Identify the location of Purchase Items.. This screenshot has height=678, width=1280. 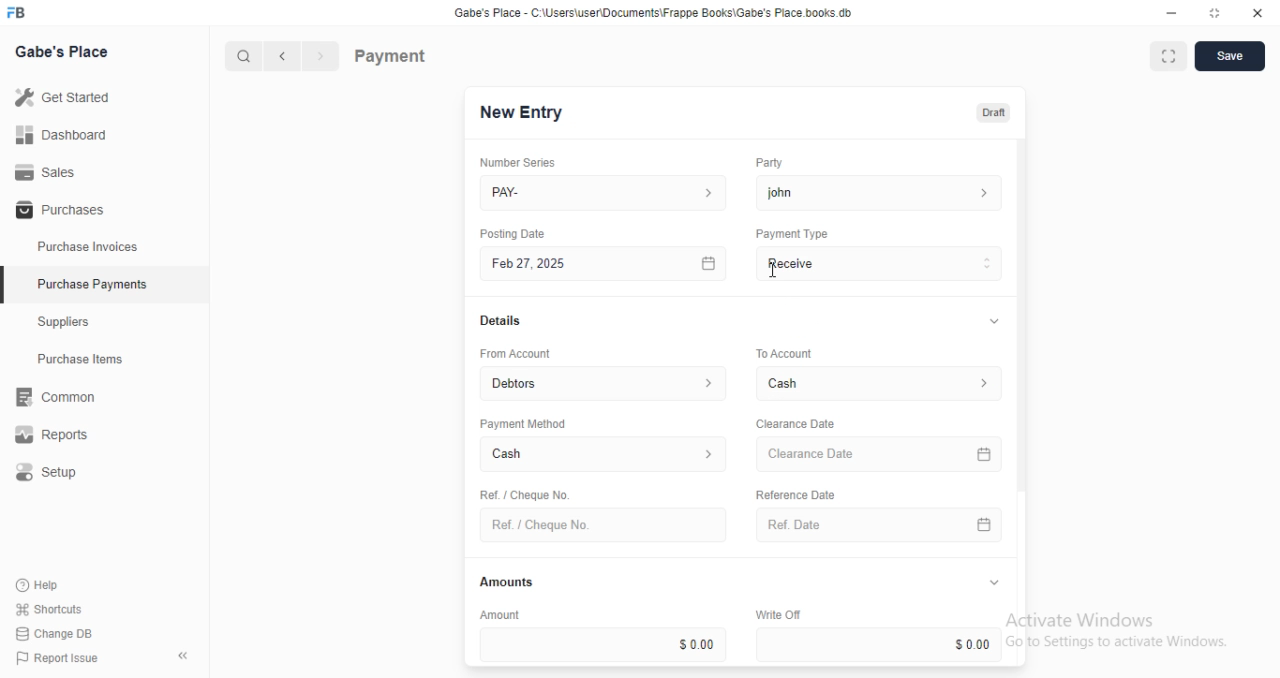
(87, 361).